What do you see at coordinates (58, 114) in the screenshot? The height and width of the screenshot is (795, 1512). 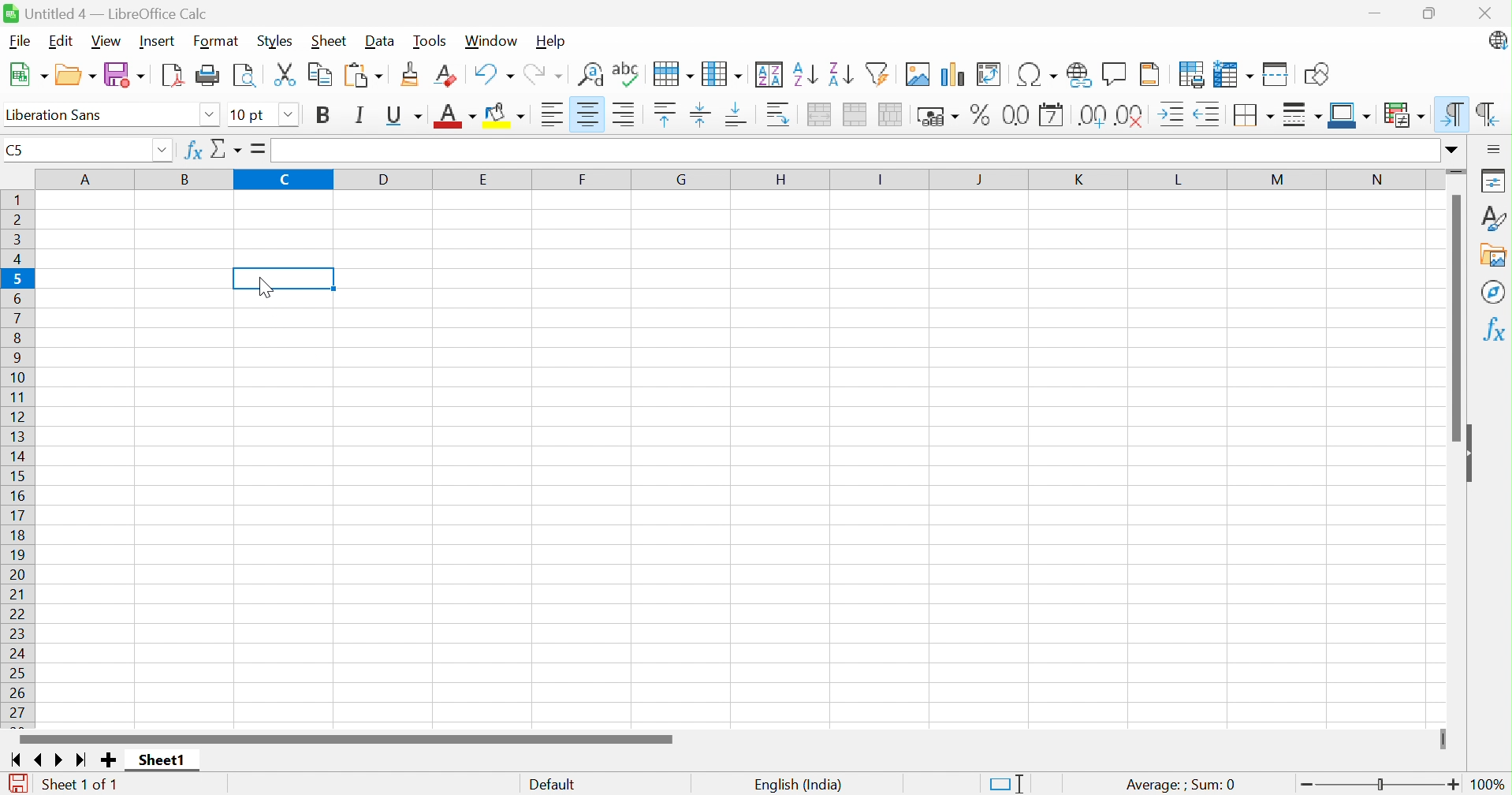 I see `Liberation Sans` at bounding box center [58, 114].